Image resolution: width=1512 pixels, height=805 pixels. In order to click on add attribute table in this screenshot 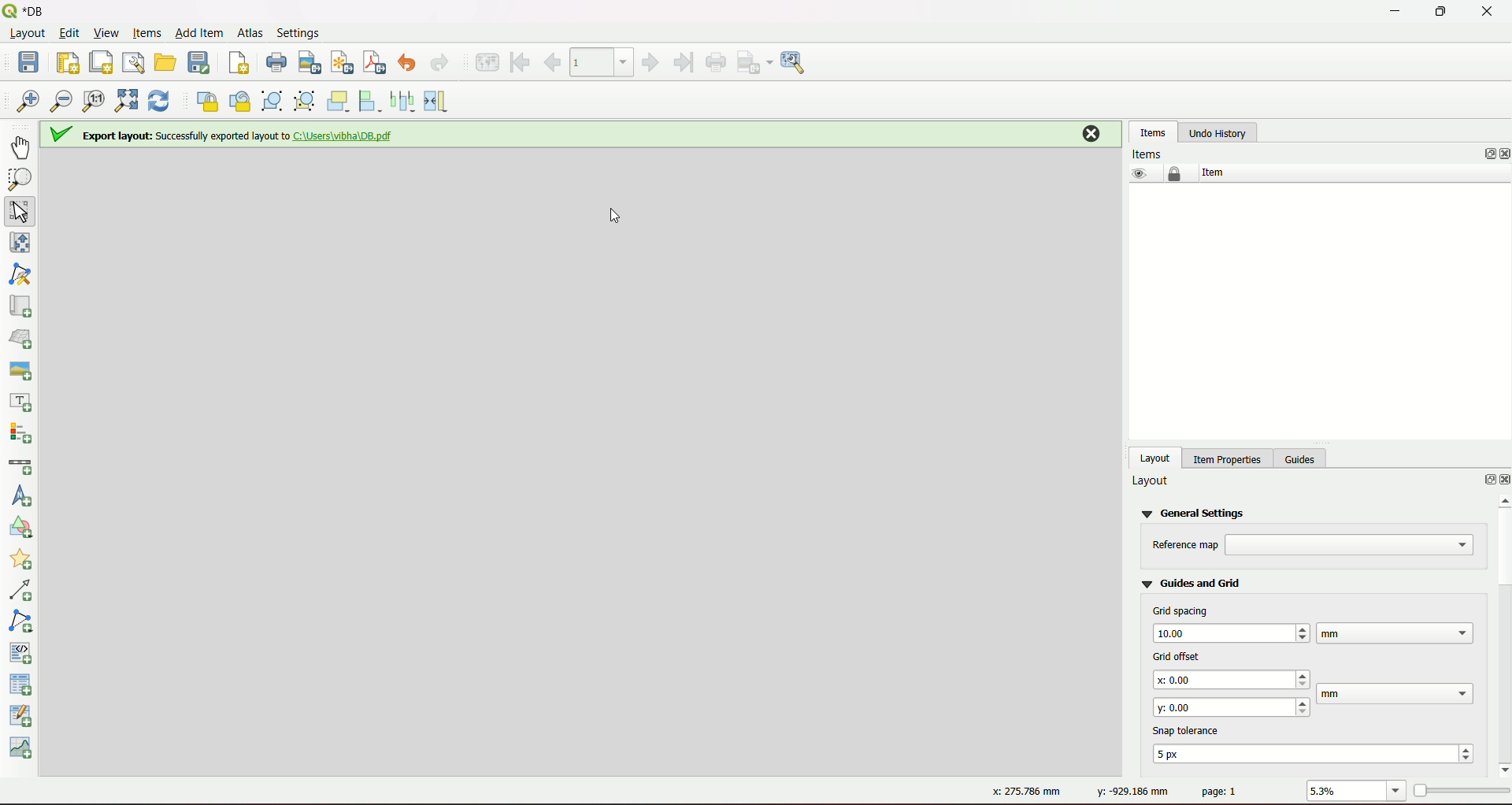, I will do `click(23, 718)`.